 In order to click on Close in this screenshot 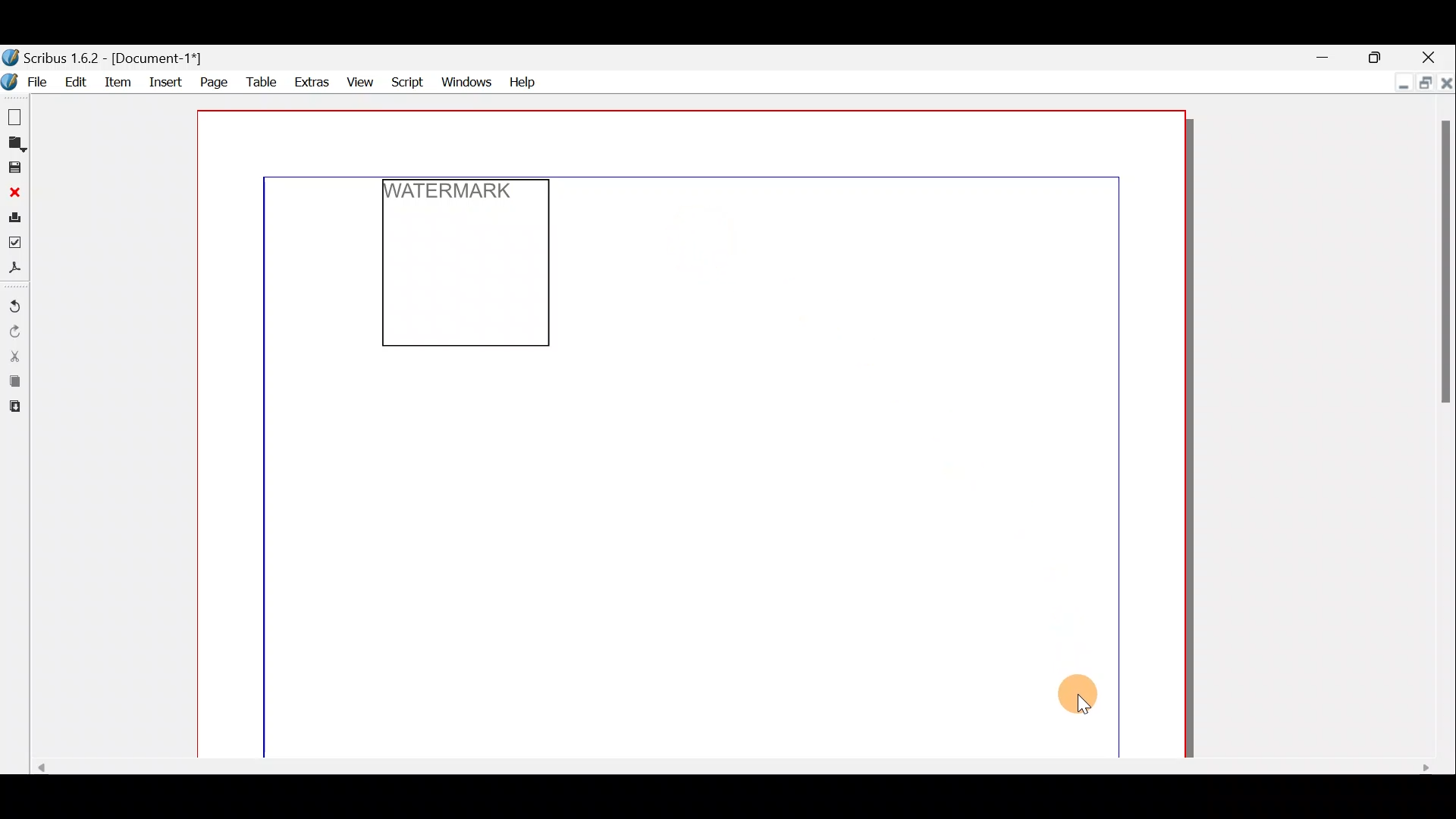, I will do `click(14, 193)`.